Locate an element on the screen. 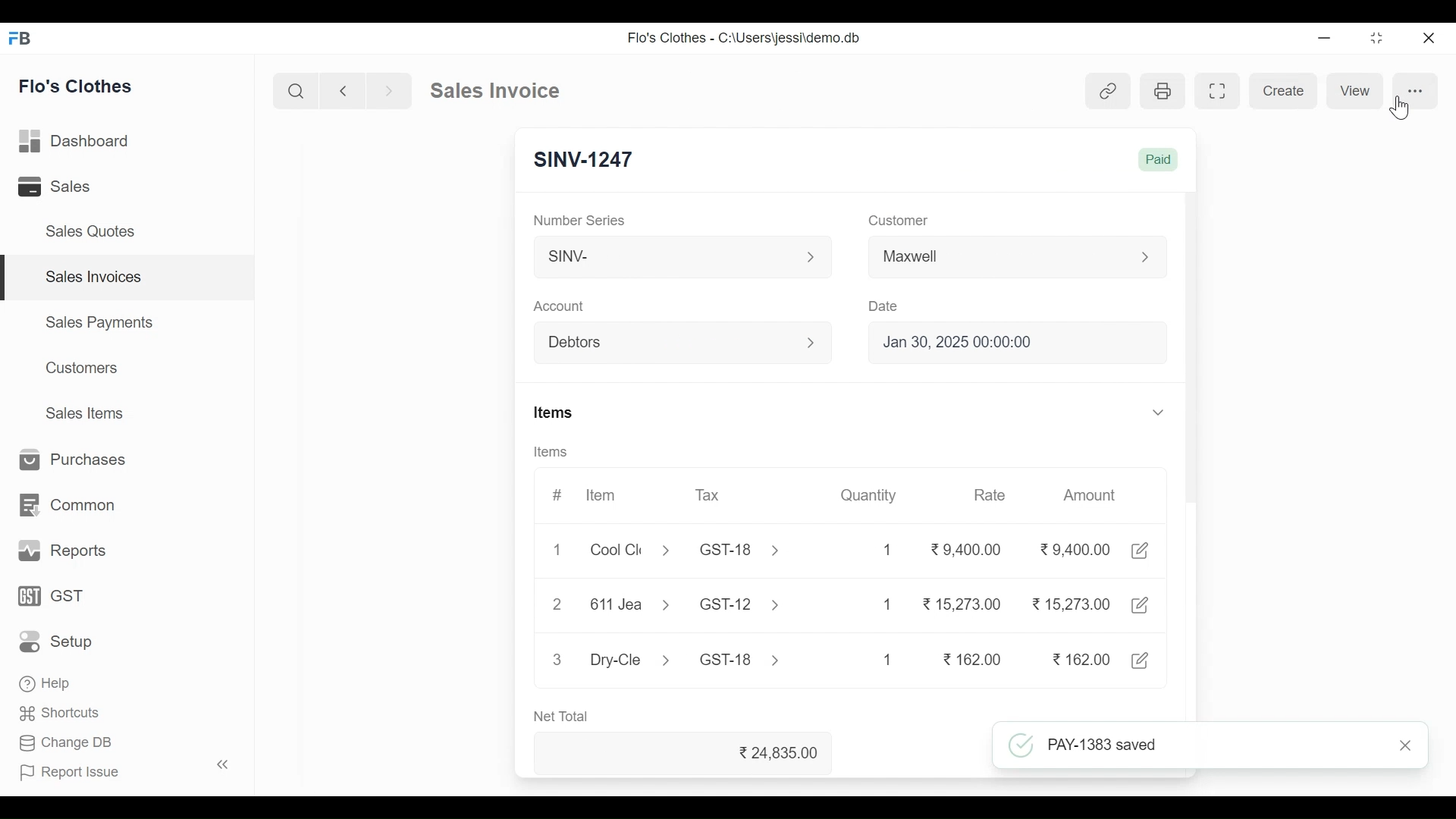 This screenshot has width=1456, height=819. Sales Items is located at coordinates (83, 413).